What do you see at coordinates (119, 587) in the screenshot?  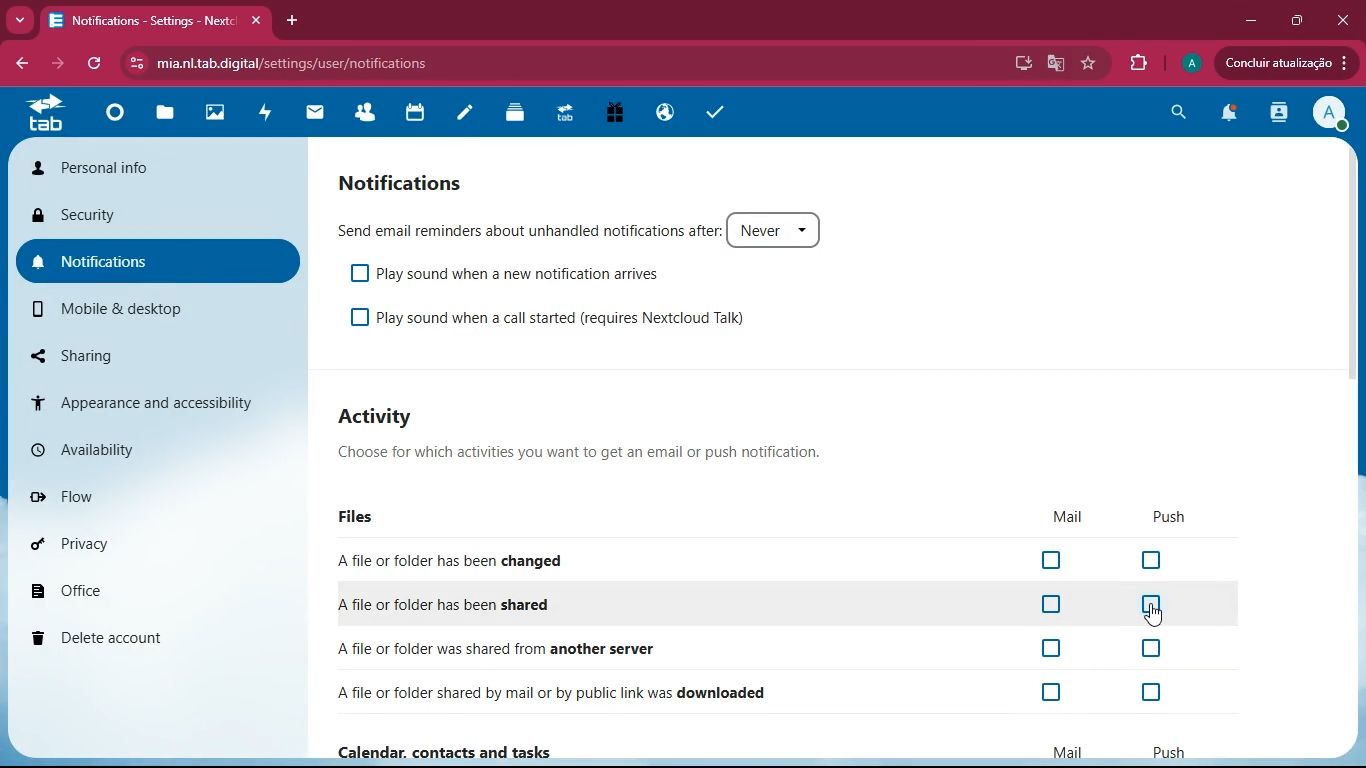 I see `office` at bounding box center [119, 587].